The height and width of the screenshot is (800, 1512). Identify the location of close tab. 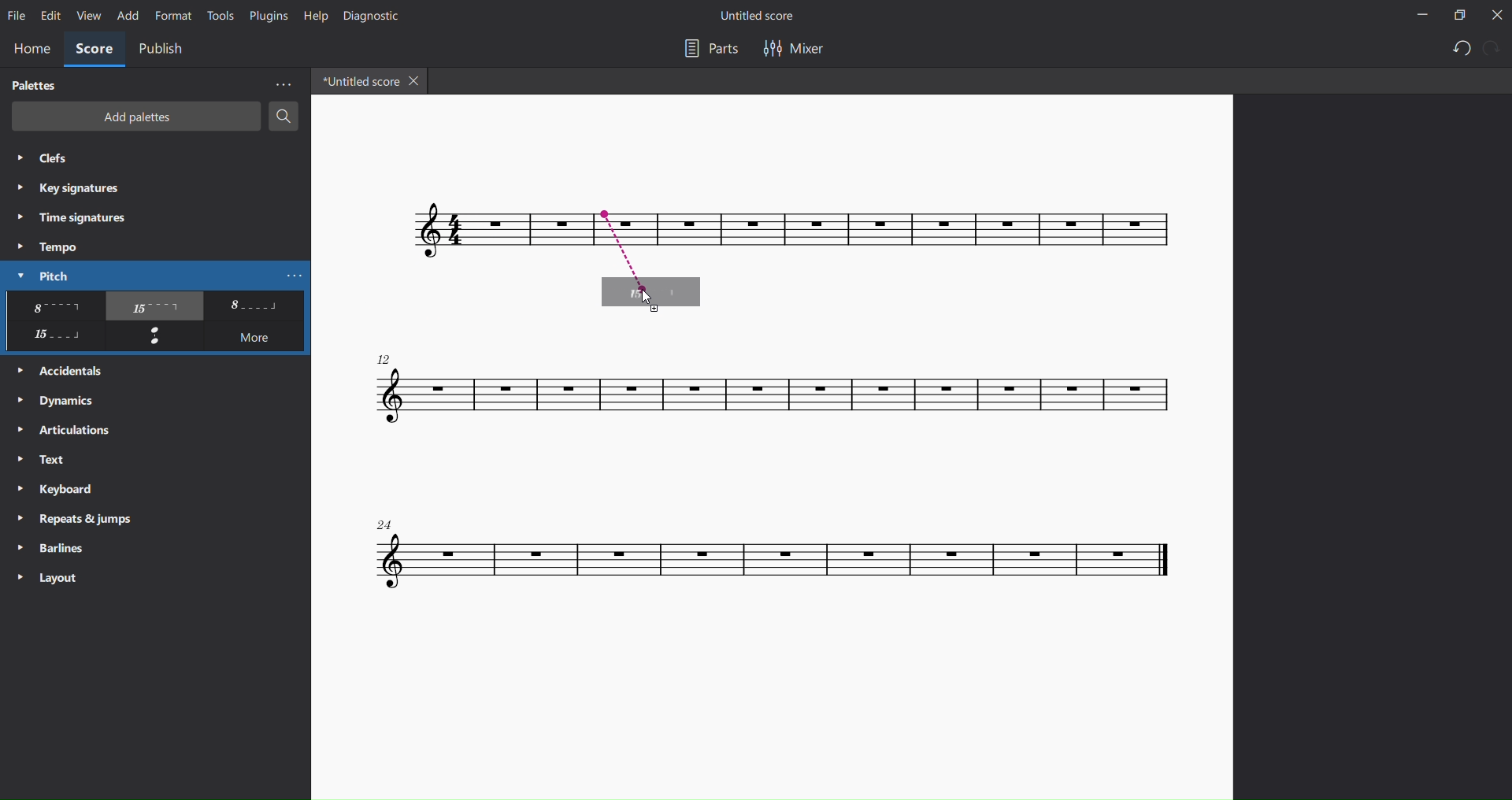
(417, 80).